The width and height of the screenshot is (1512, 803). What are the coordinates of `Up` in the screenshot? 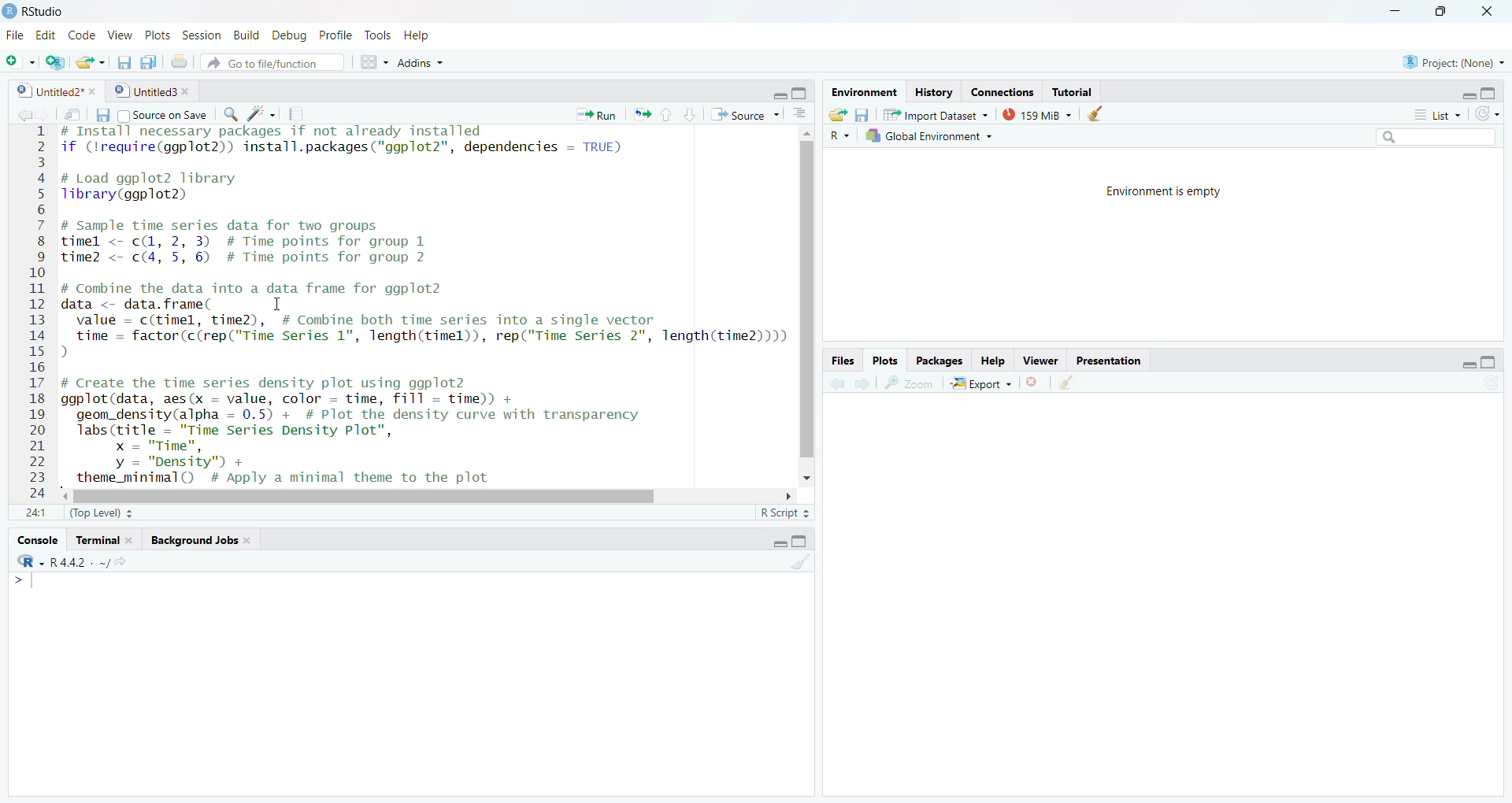 It's located at (665, 113).